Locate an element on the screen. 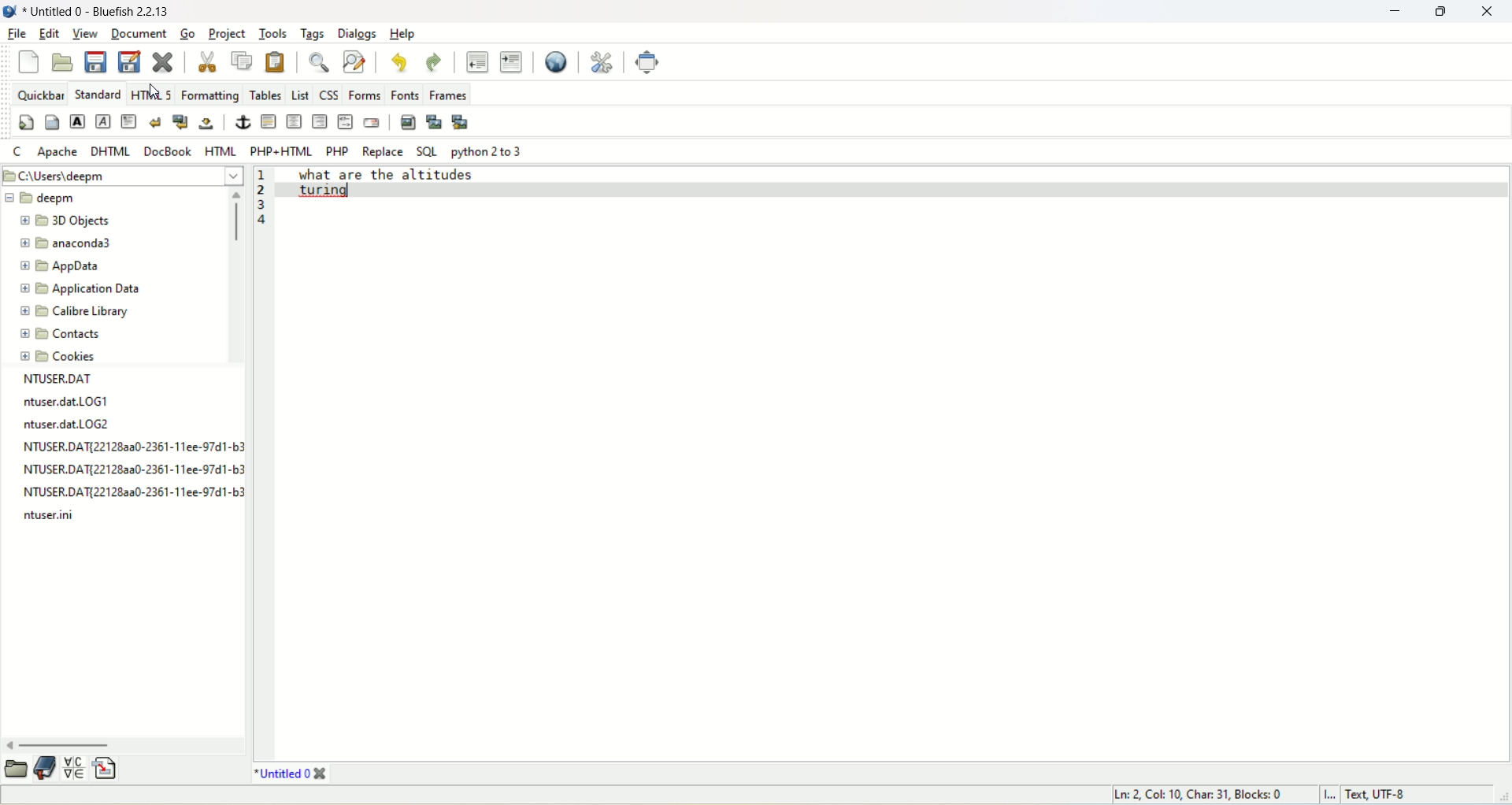 This screenshot has width=1512, height=805. open is located at coordinates (17, 770).